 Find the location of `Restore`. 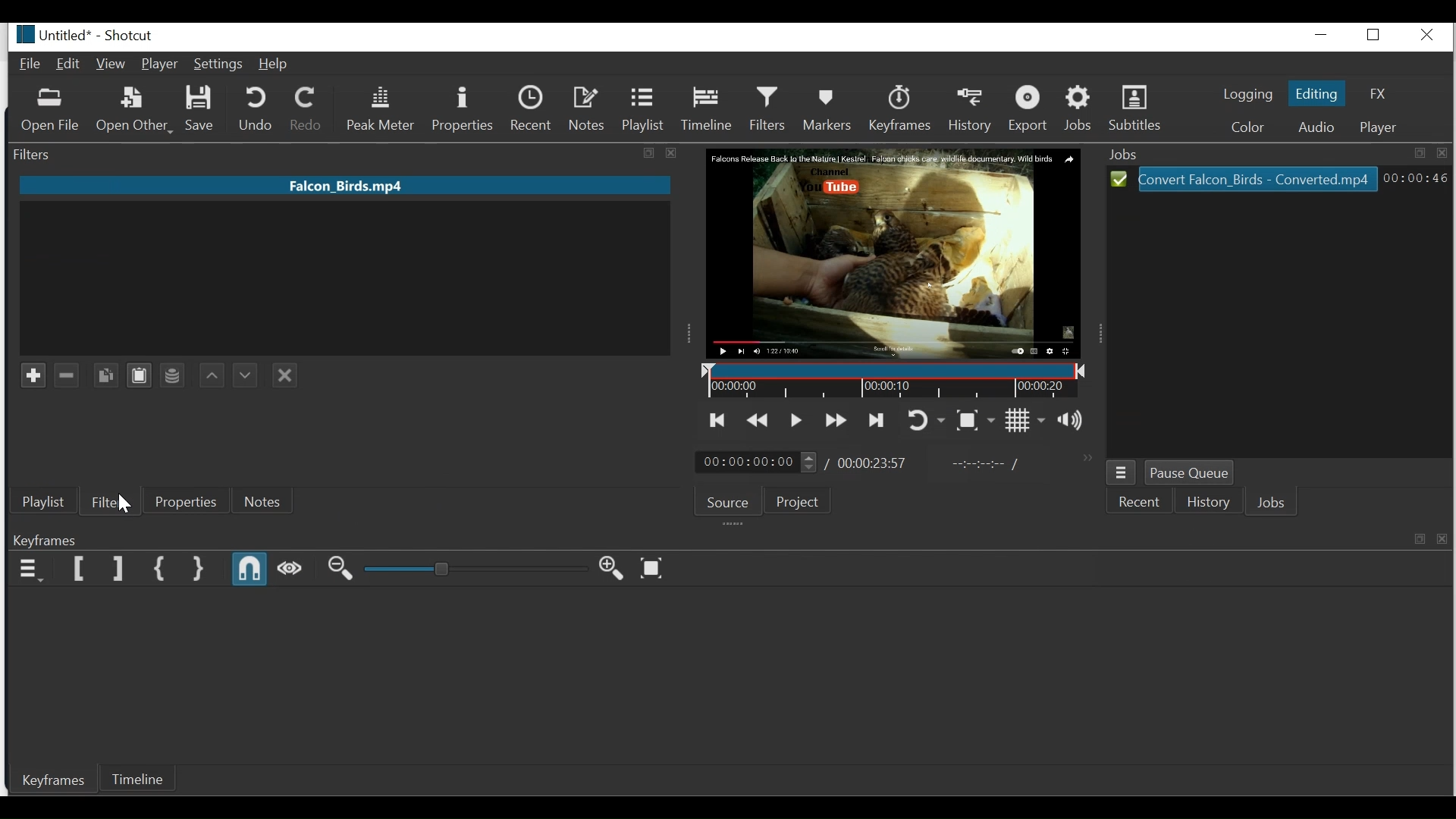

Restore is located at coordinates (1377, 36).